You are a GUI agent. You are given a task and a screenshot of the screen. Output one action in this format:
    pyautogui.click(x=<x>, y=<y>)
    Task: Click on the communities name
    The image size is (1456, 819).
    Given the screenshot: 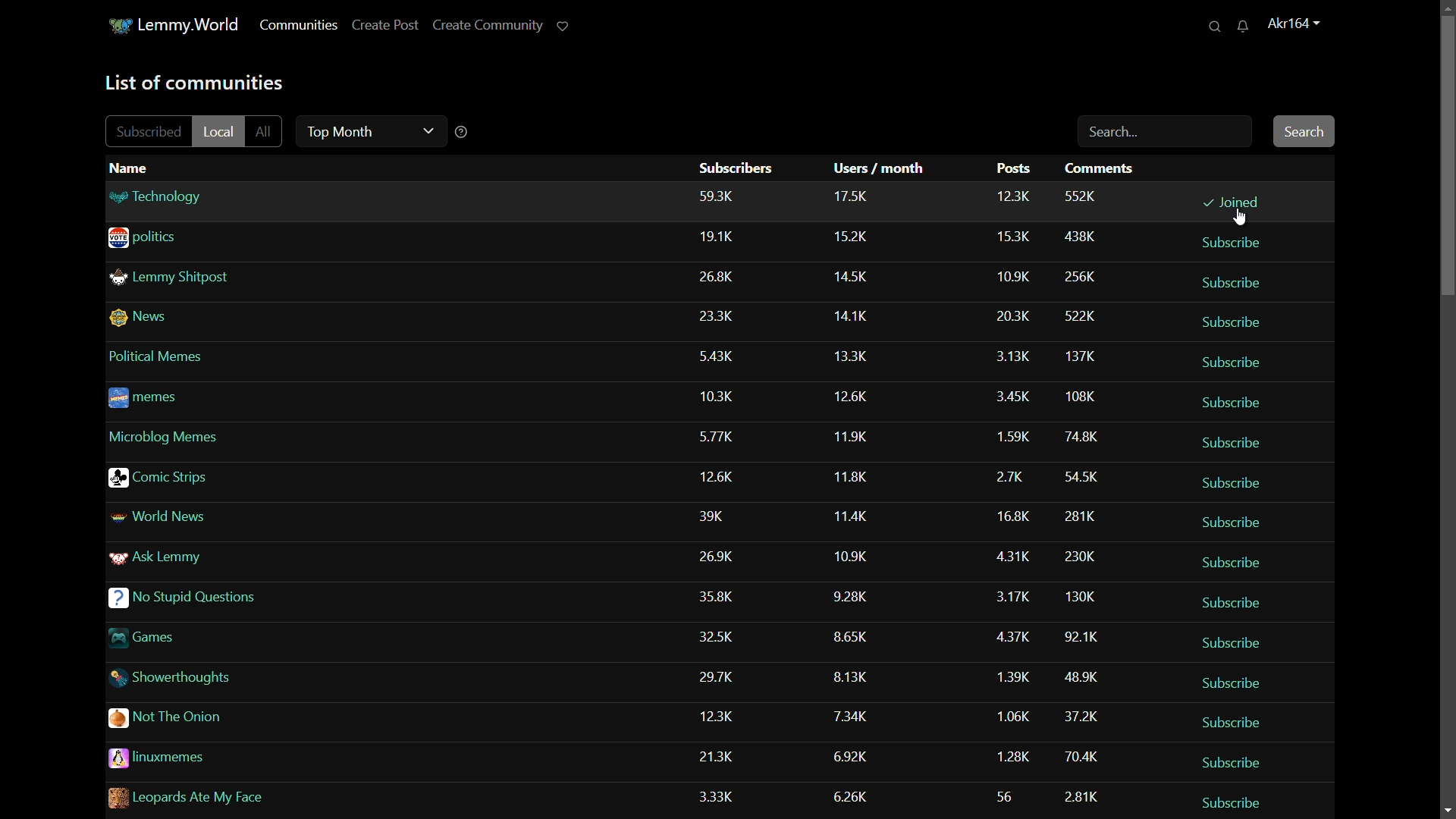 What is the action you would take?
    pyautogui.click(x=237, y=438)
    